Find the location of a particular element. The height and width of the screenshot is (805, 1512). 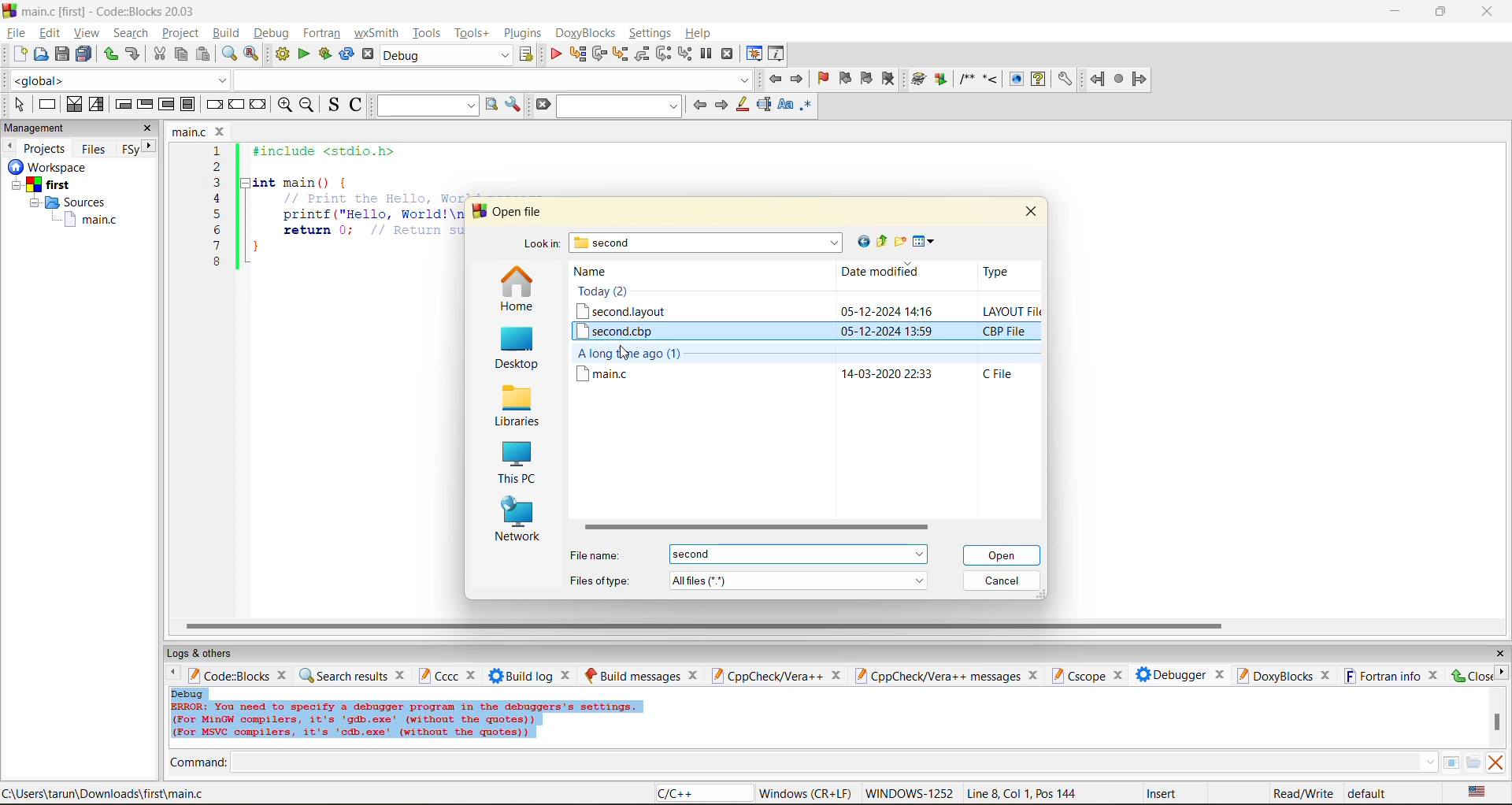

close is located at coordinates (1220, 673).